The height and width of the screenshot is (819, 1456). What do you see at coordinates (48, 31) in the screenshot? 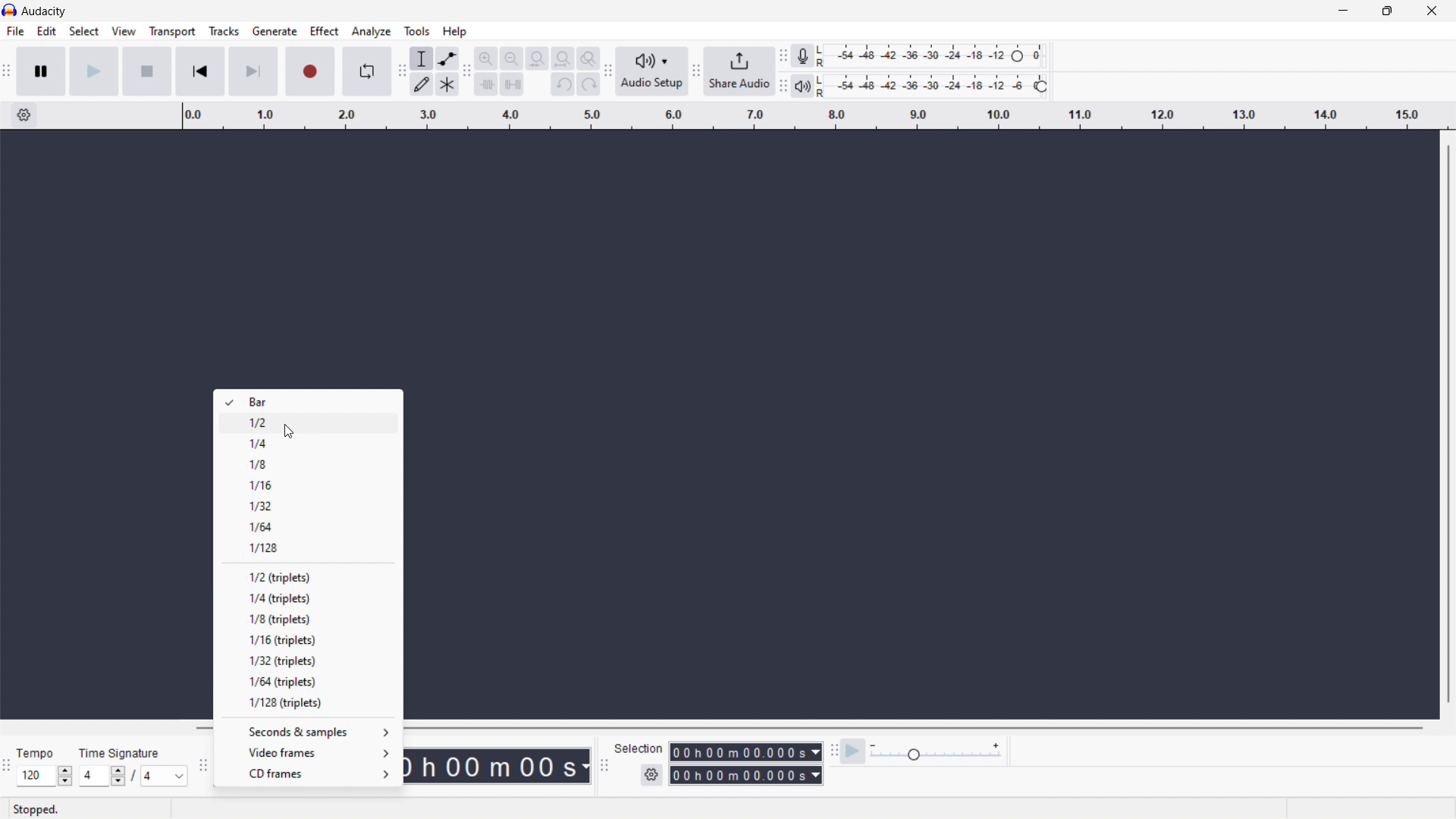
I see `edit` at bounding box center [48, 31].